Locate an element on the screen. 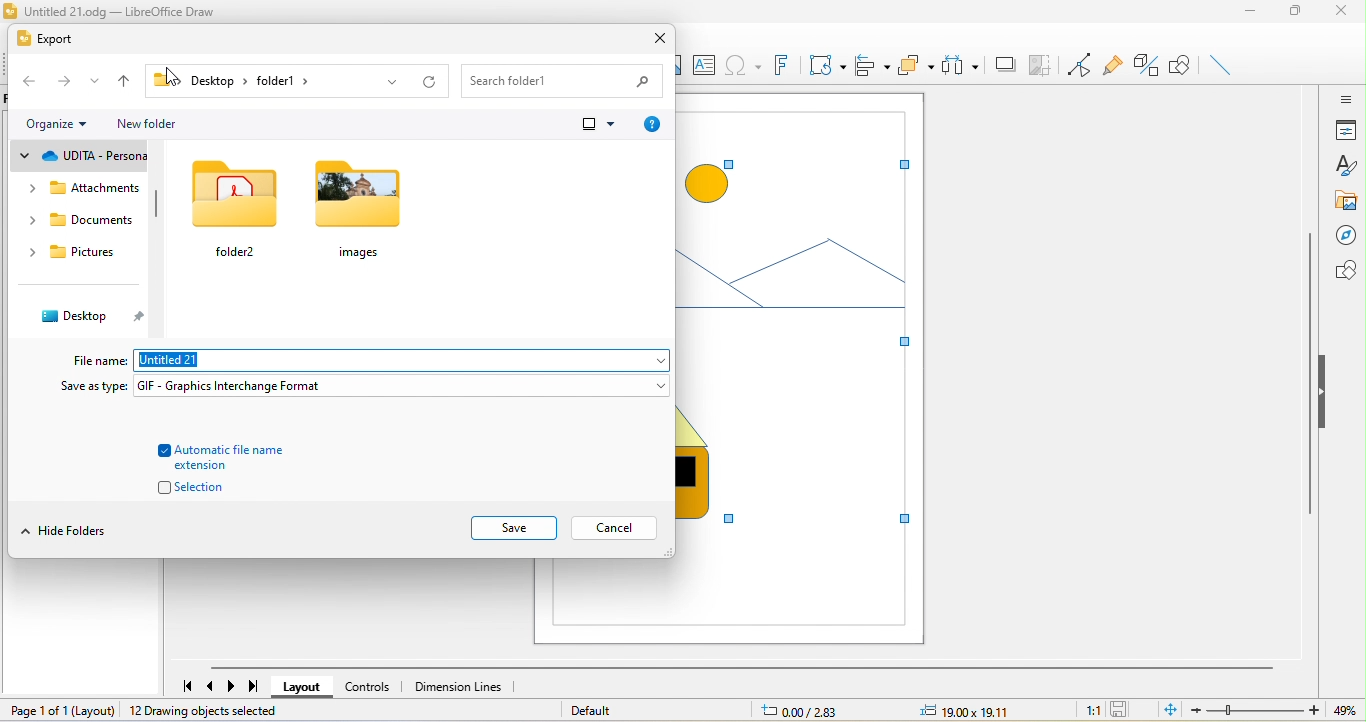  open/ close sidebar is located at coordinates (1344, 98).